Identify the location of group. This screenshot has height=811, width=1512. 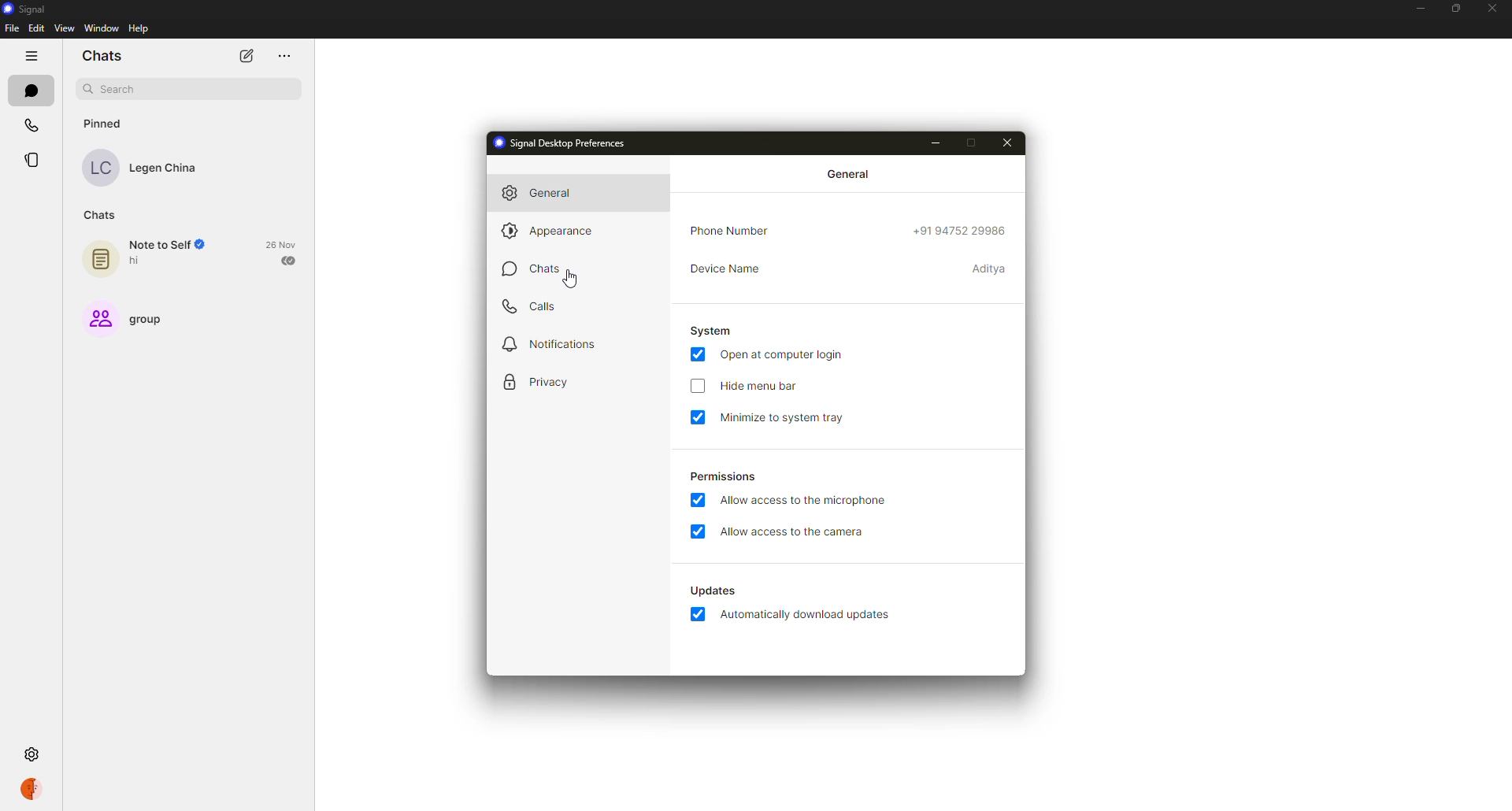
(132, 317).